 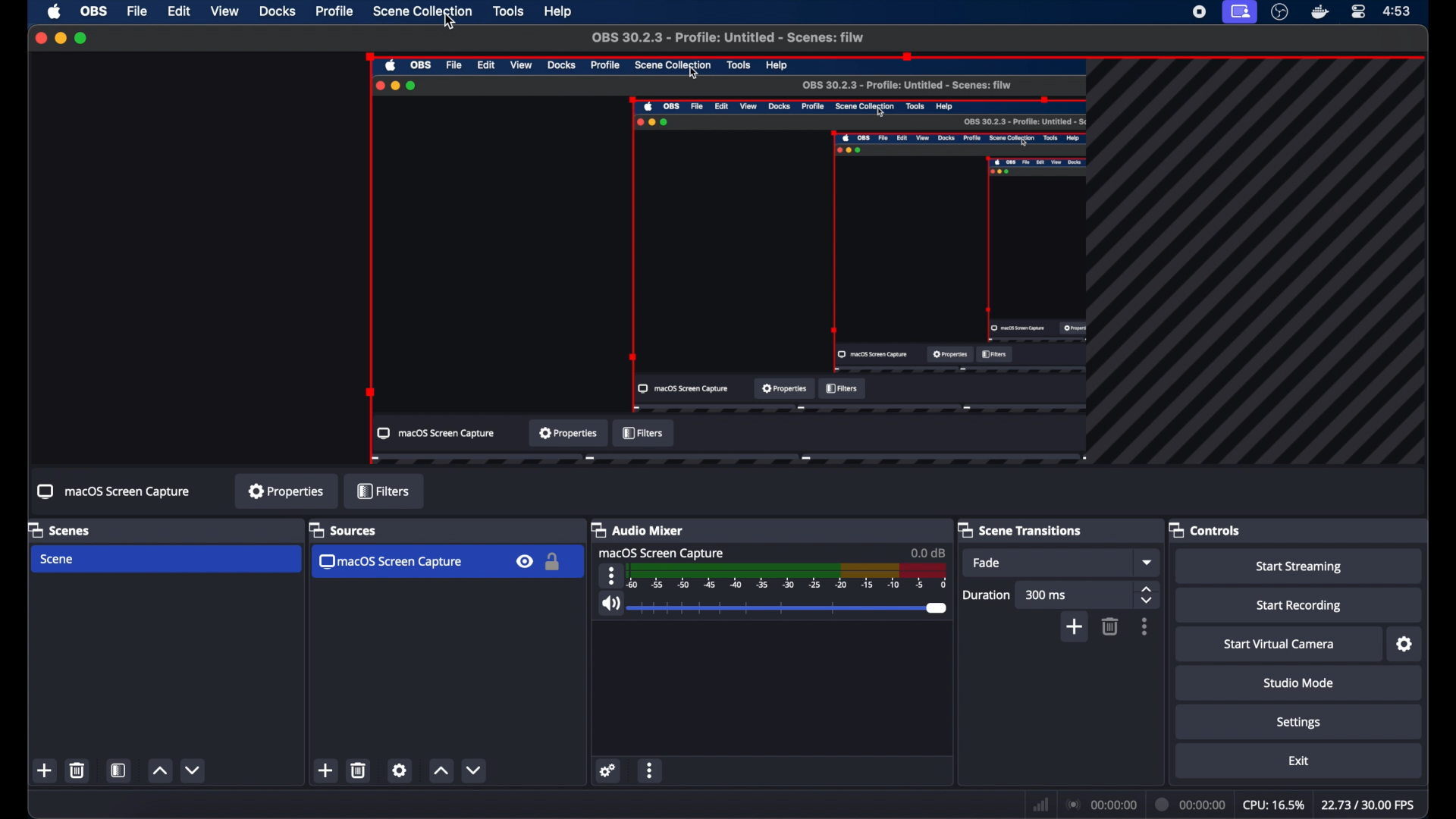 I want to click on 300 ms, so click(x=1046, y=594).